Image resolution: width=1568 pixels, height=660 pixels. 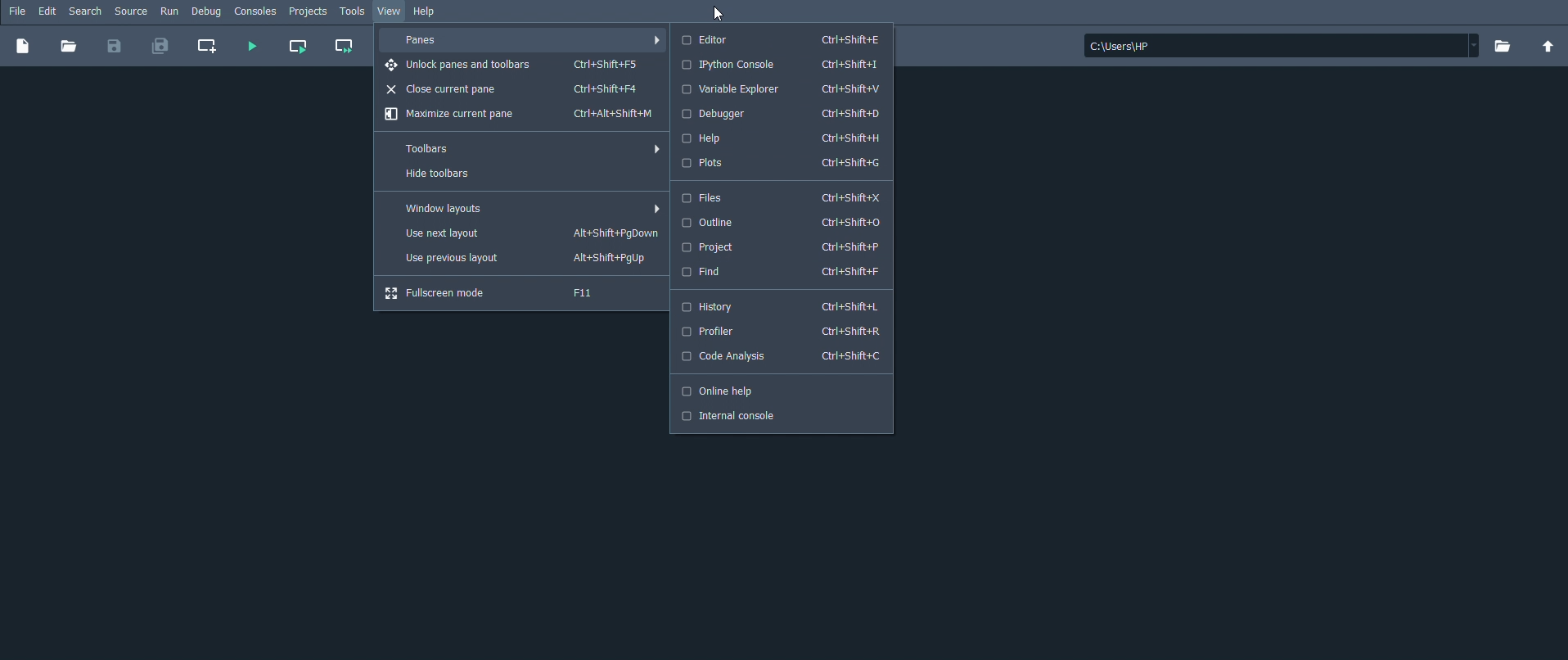 What do you see at coordinates (256, 11) in the screenshot?
I see `Consoles` at bounding box center [256, 11].